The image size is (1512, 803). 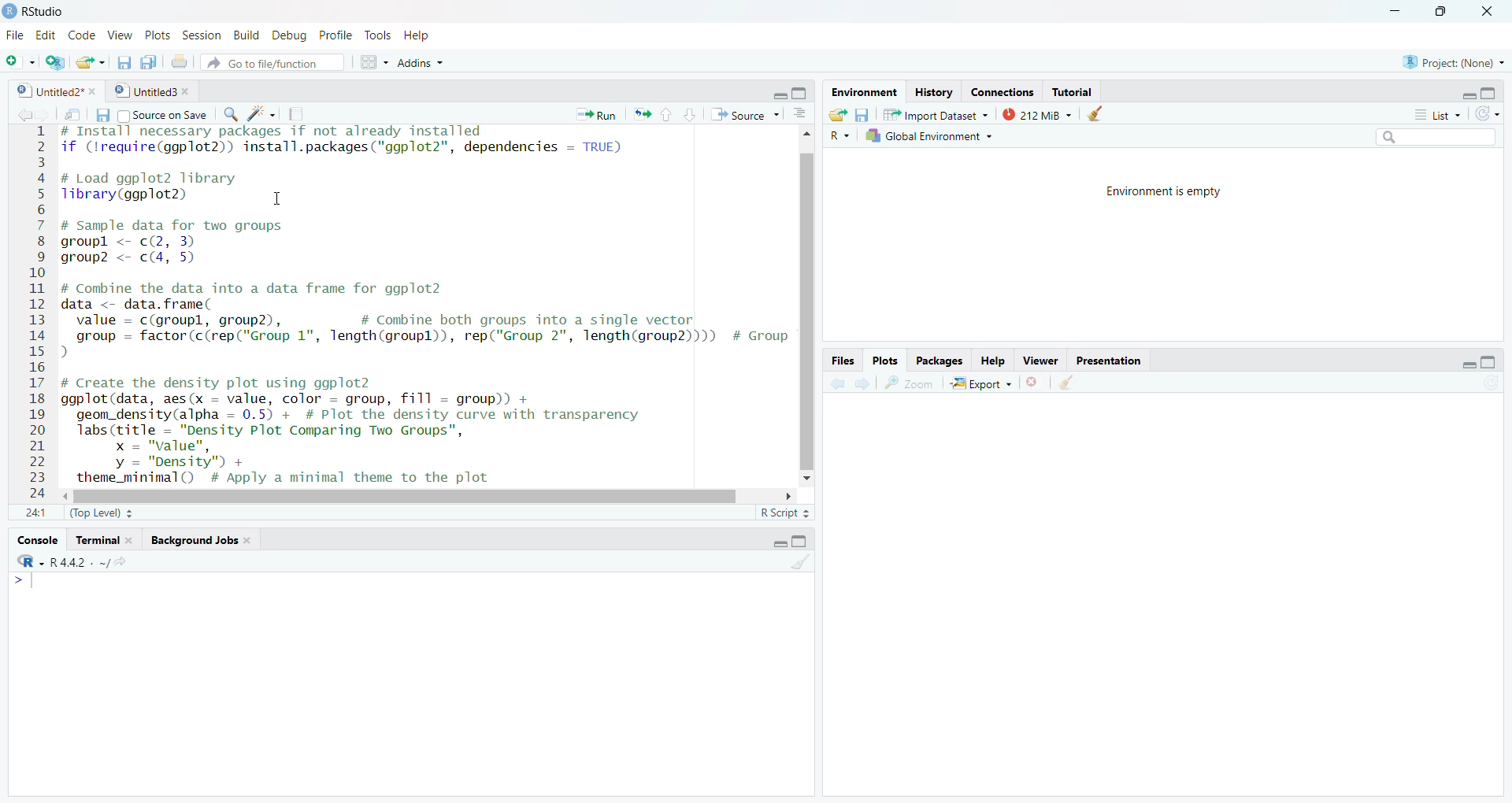 What do you see at coordinates (104, 541) in the screenshot?
I see `terminal` at bounding box center [104, 541].